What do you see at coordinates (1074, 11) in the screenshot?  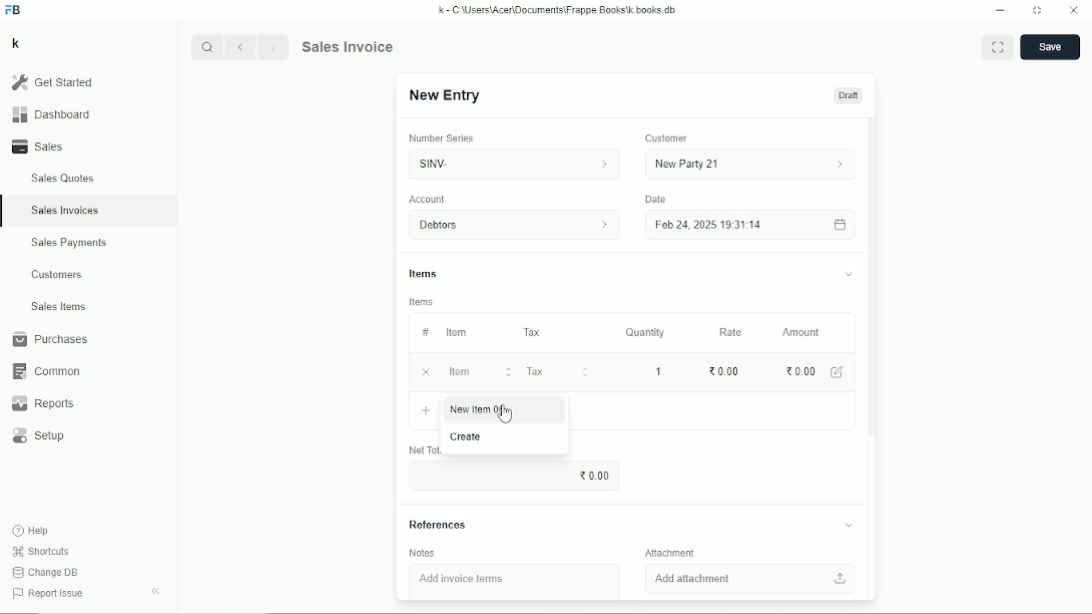 I see `Close` at bounding box center [1074, 11].